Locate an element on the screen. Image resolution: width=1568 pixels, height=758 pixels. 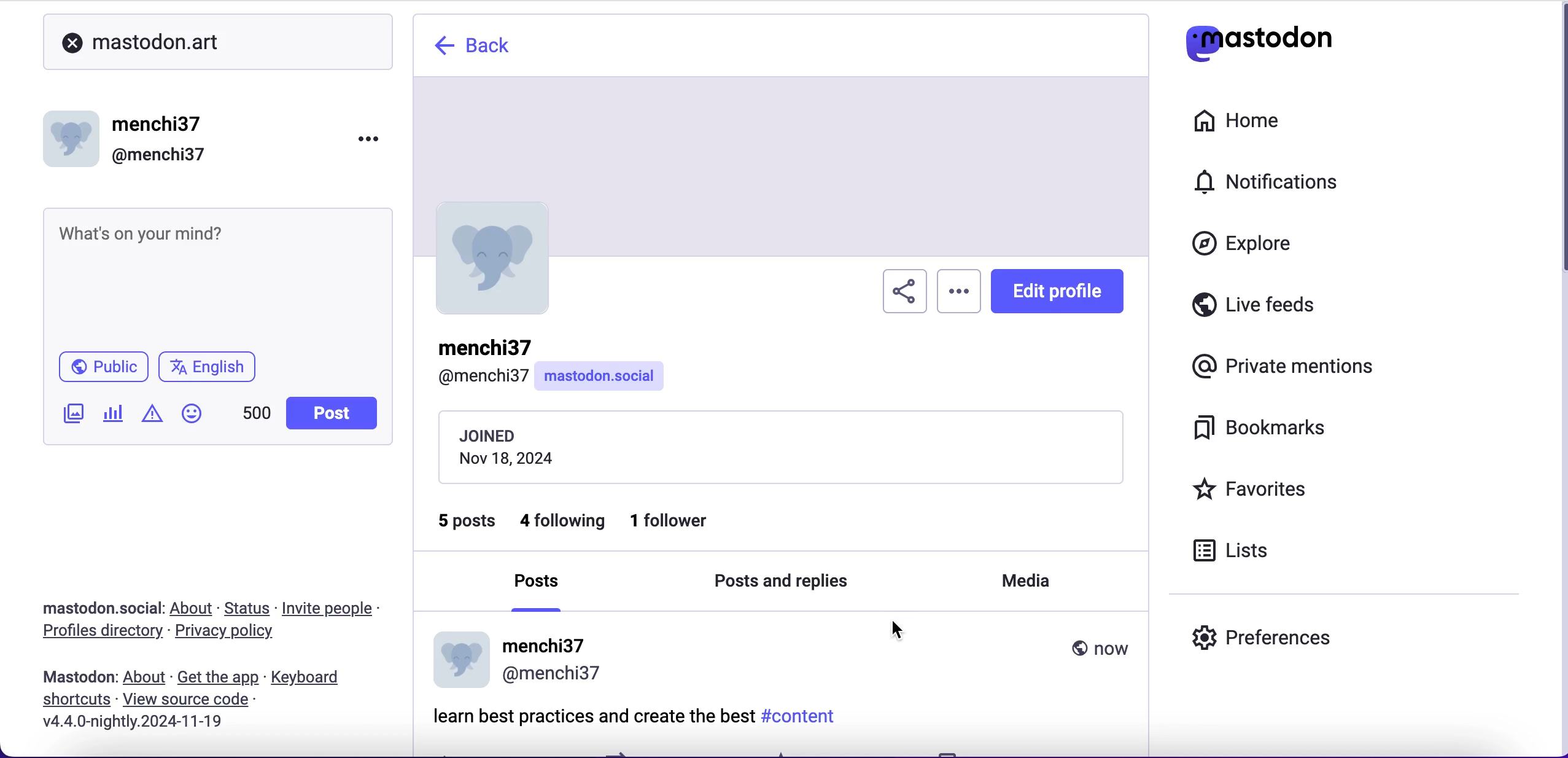
mastodon.art is located at coordinates (140, 37).